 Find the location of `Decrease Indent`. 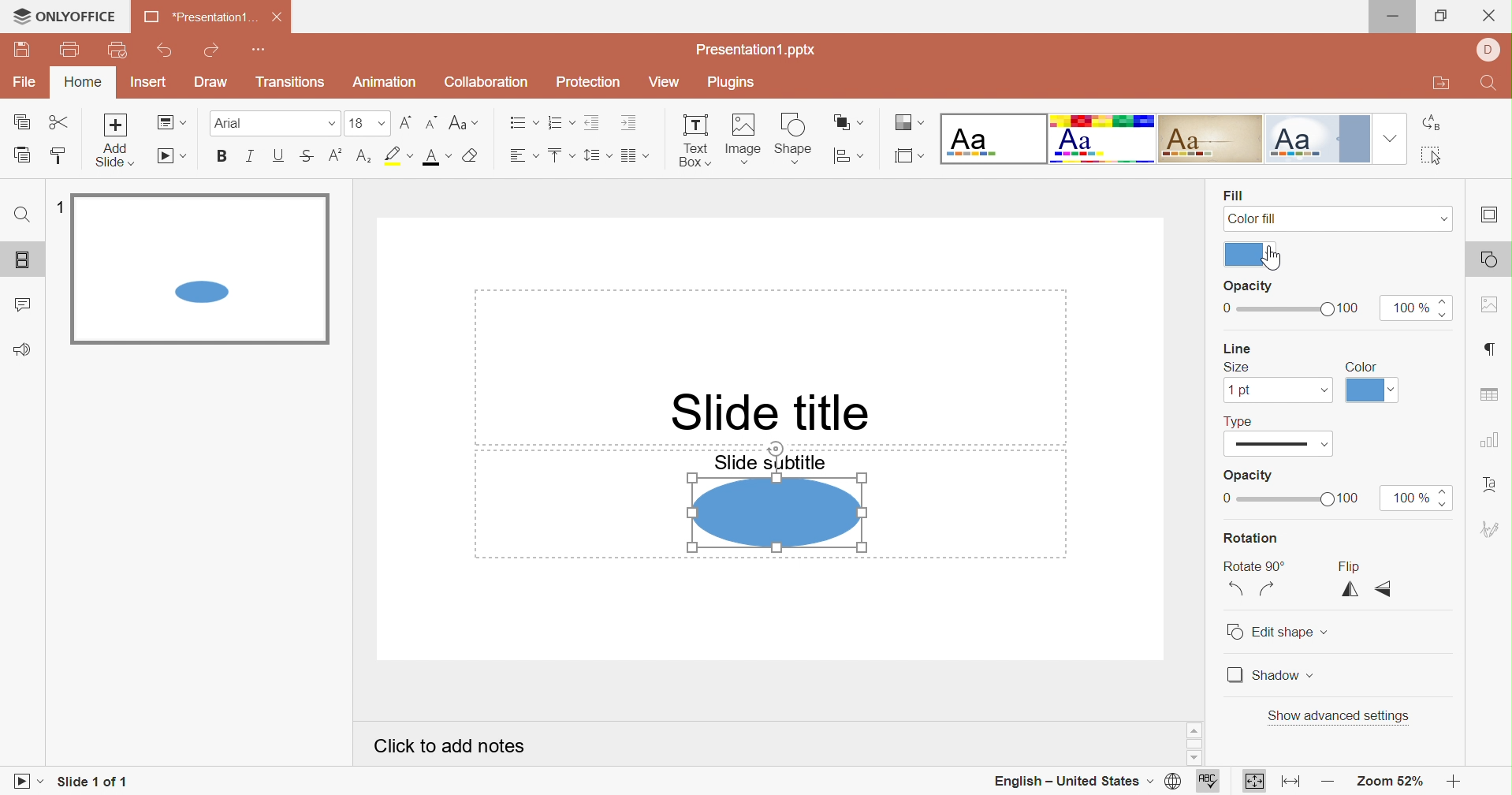

Decrease Indent is located at coordinates (592, 125).